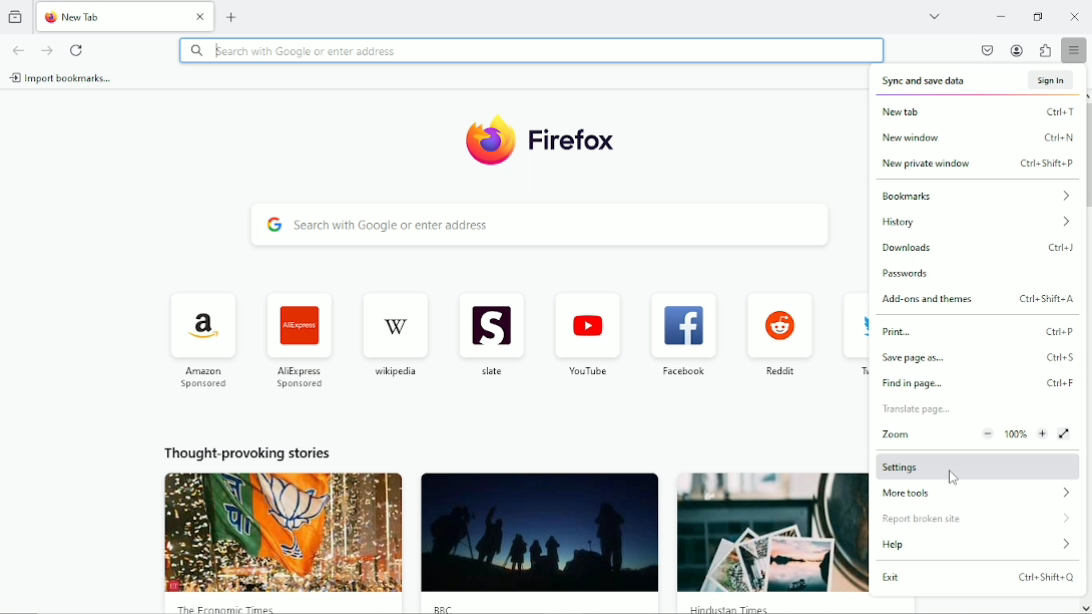  Describe the element at coordinates (1001, 17) in the screenshot. I see `minimize` at that location.